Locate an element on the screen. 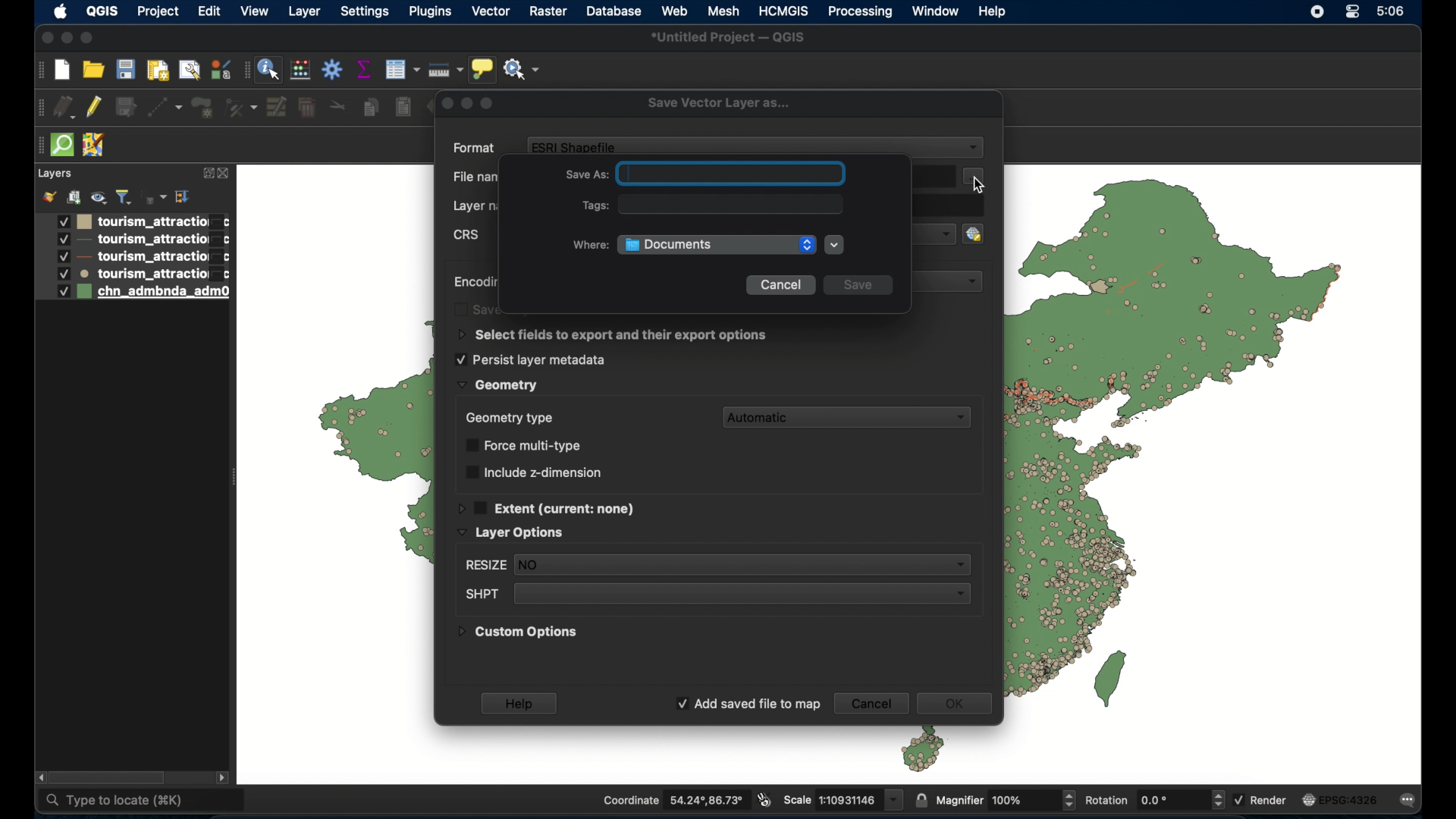  messages is located at coordinates (1410, 799).